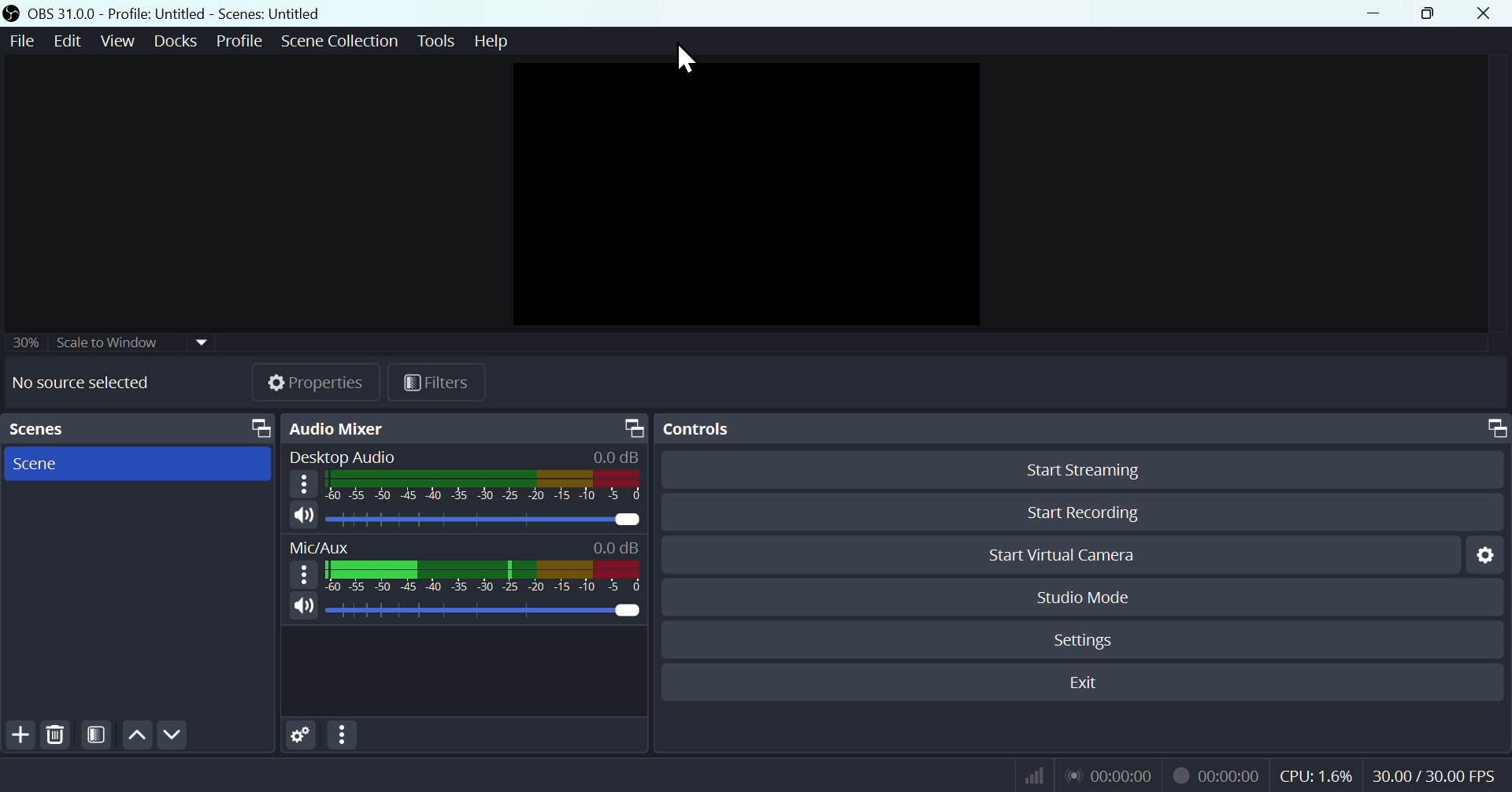 The height and width of the screenshot is (792, 1512). Describe the element at coordinates (1075, 555) in the screenshot. I see `Start virtual camera` at that location.